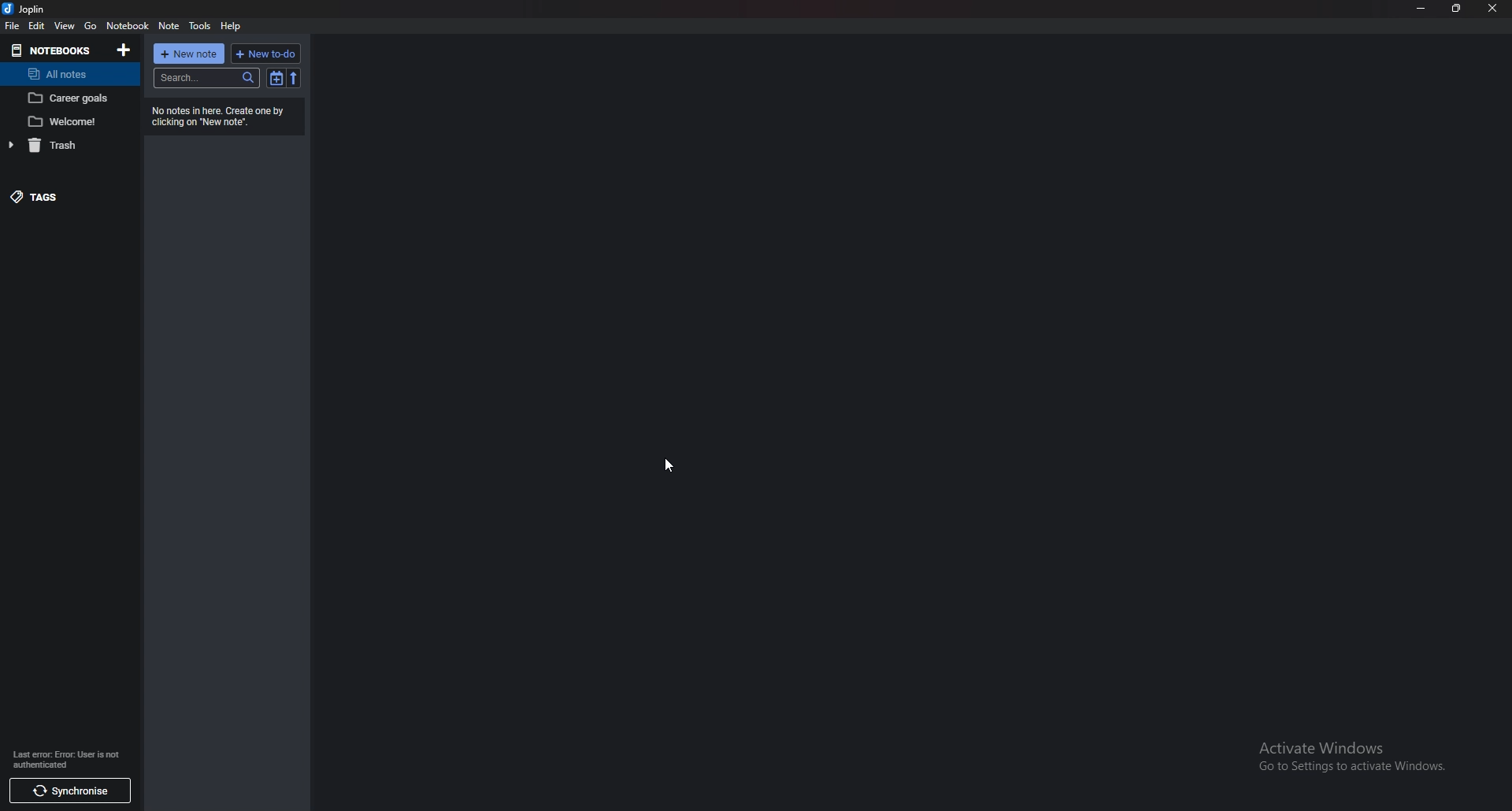 Image resolution: width=1512 pixels, height=811 pixels. Describe the element at coordinates (201, 26) in the screenshot. I see `tools` at that location.